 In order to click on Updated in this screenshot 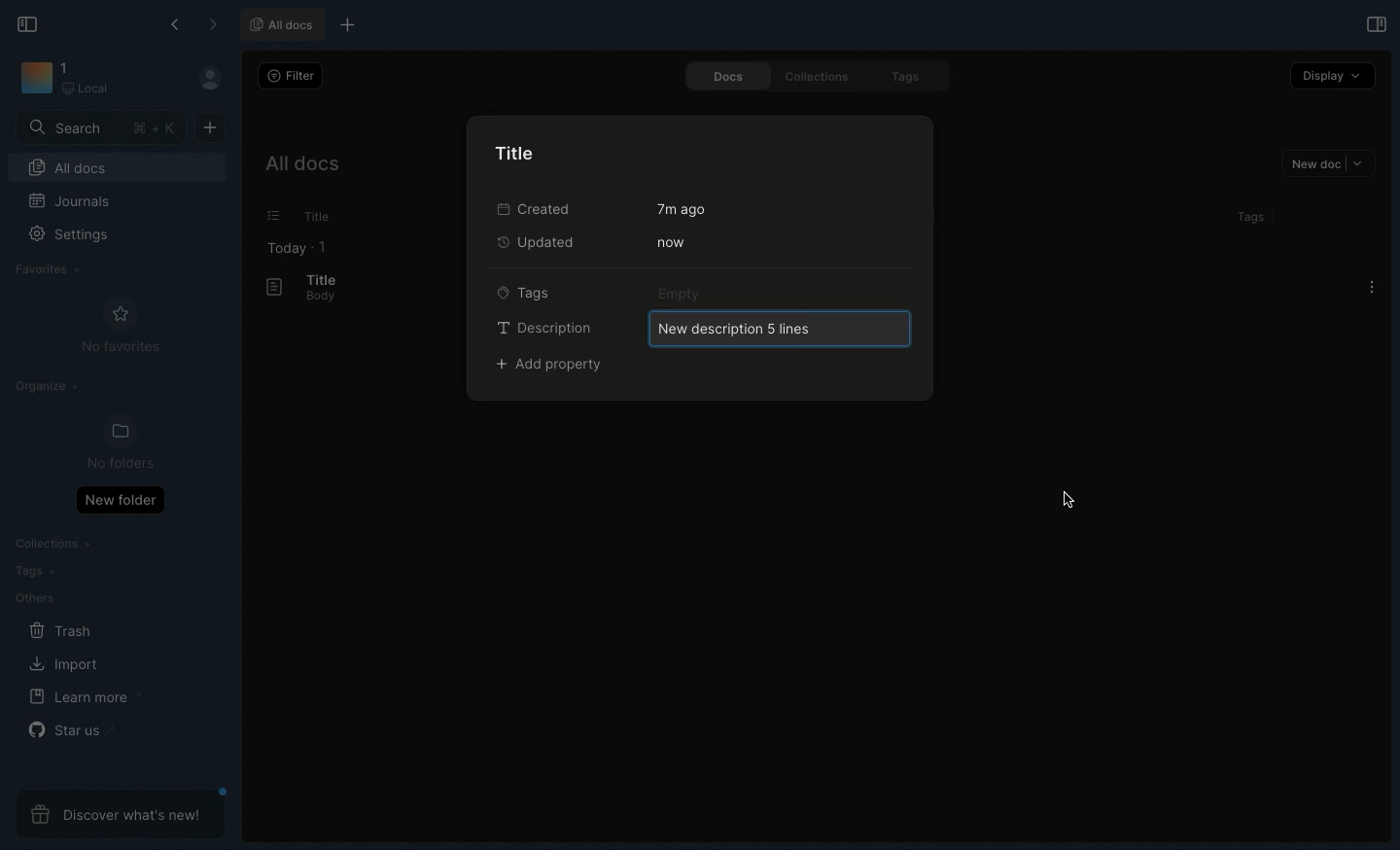, I will do `click(542, 241)`.